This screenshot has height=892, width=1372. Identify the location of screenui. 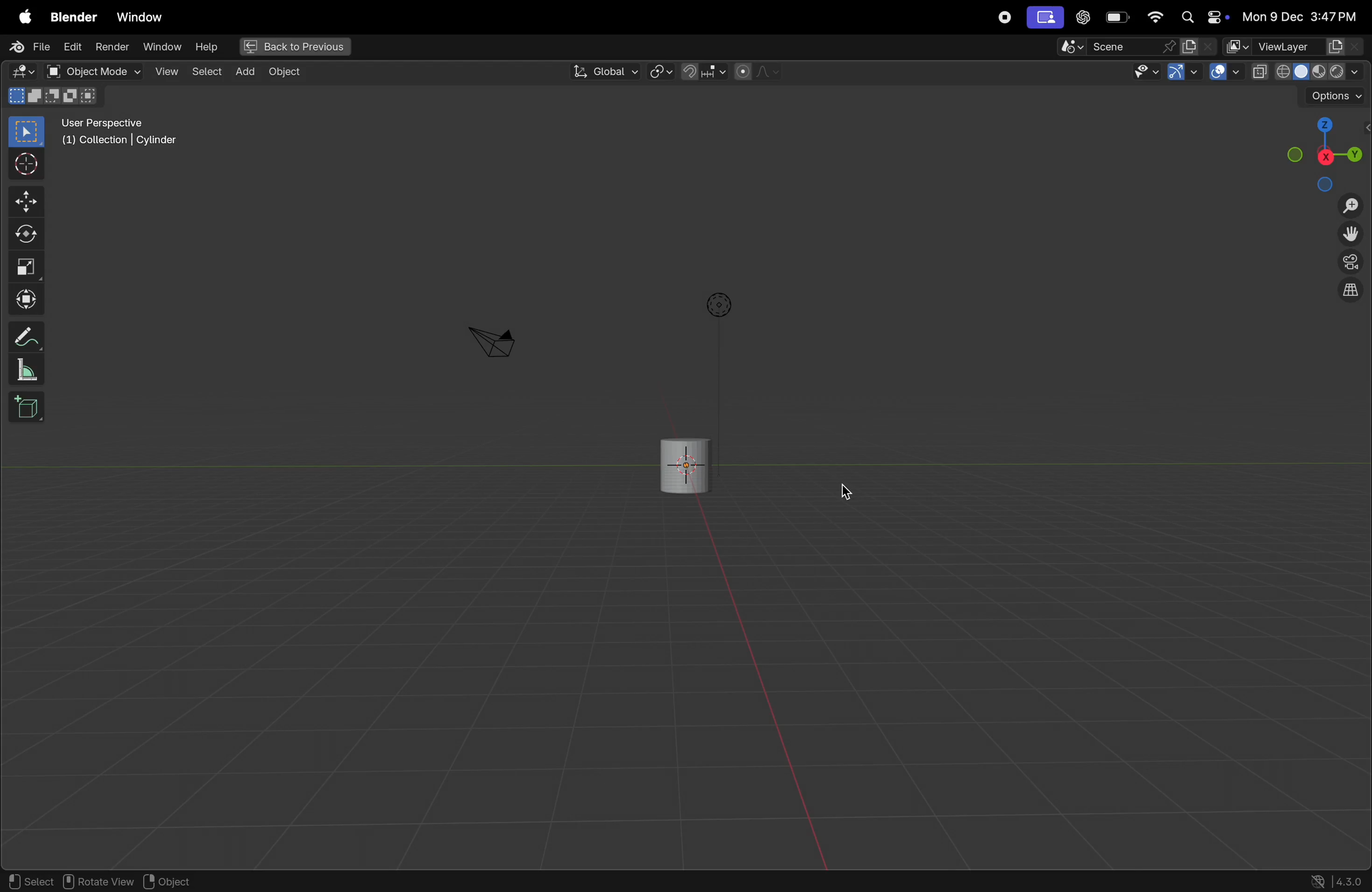
(1044, 17).